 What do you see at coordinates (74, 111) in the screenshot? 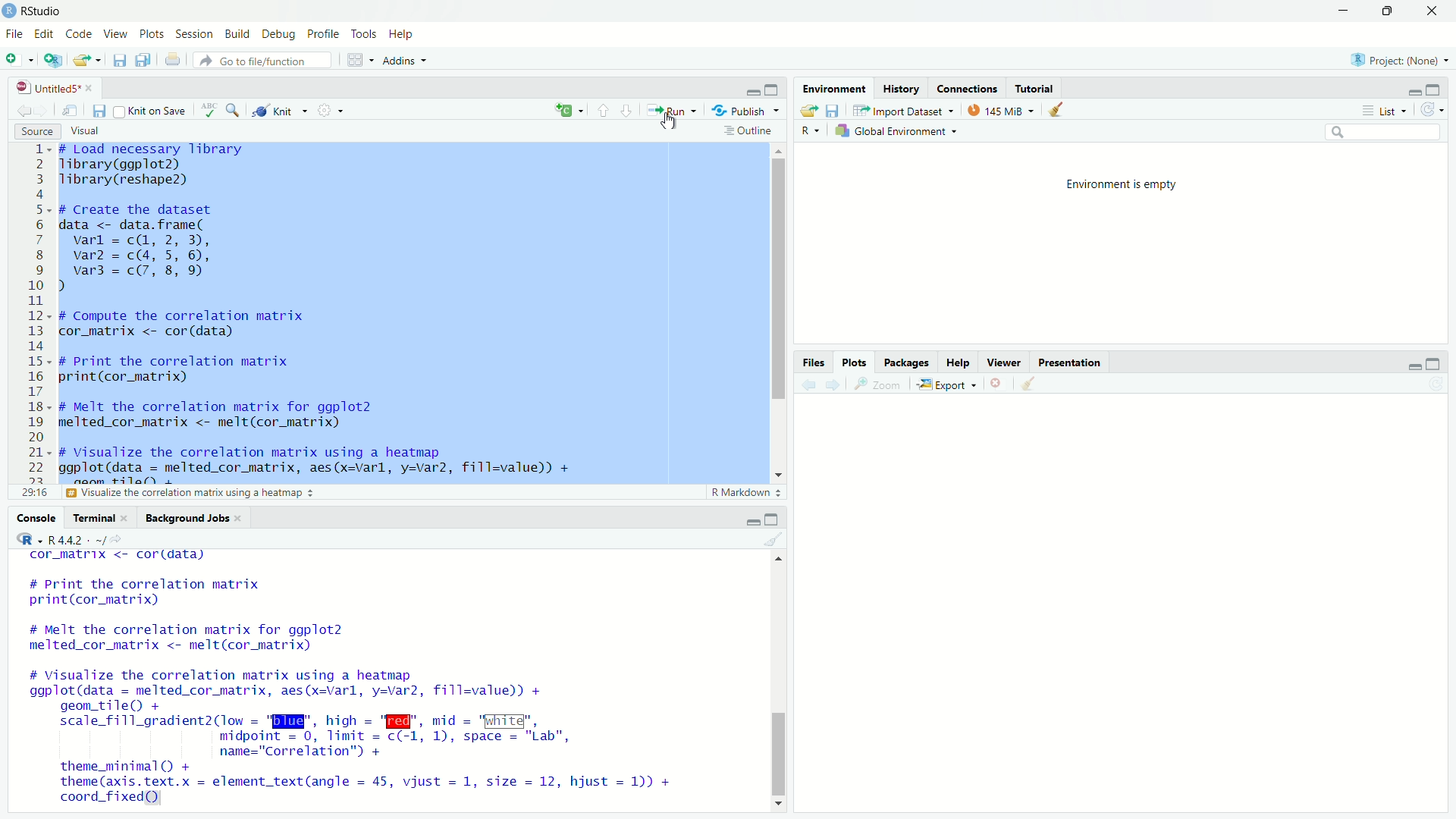
I see `open in new window` at bounding box center [74, 111].